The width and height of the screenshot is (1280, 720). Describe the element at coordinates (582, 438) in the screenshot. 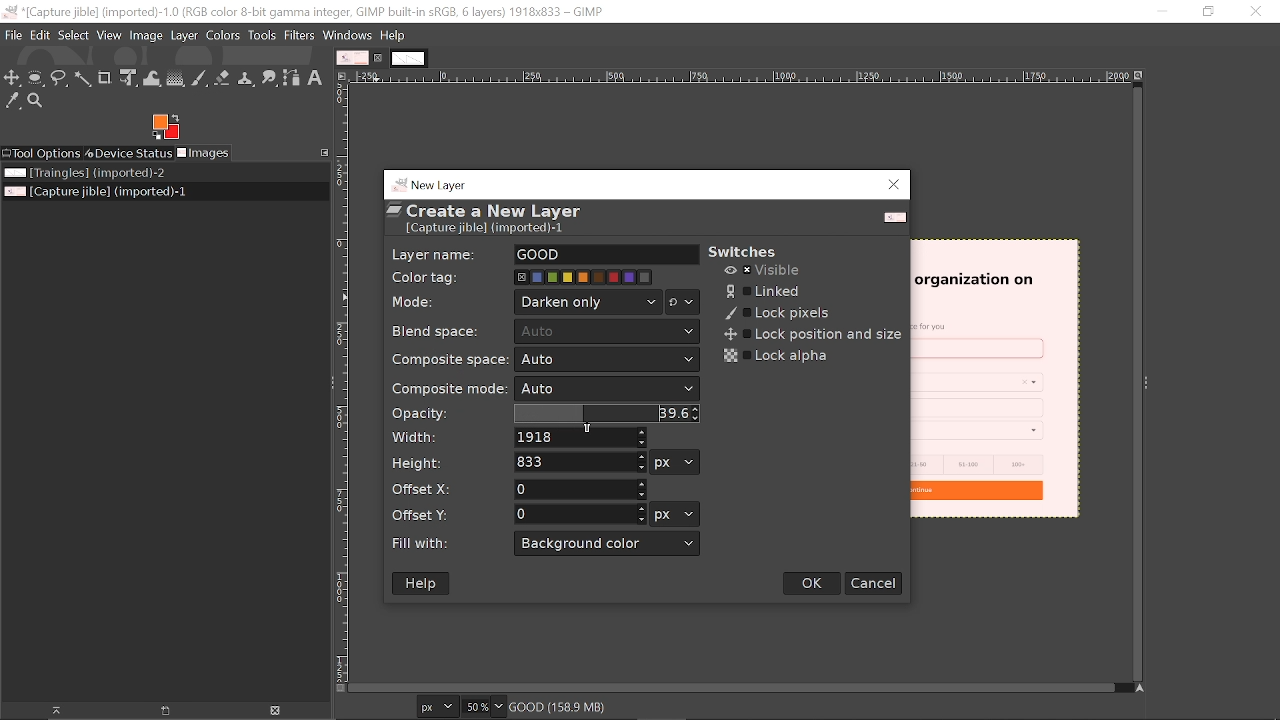

I see `Width` at that location.